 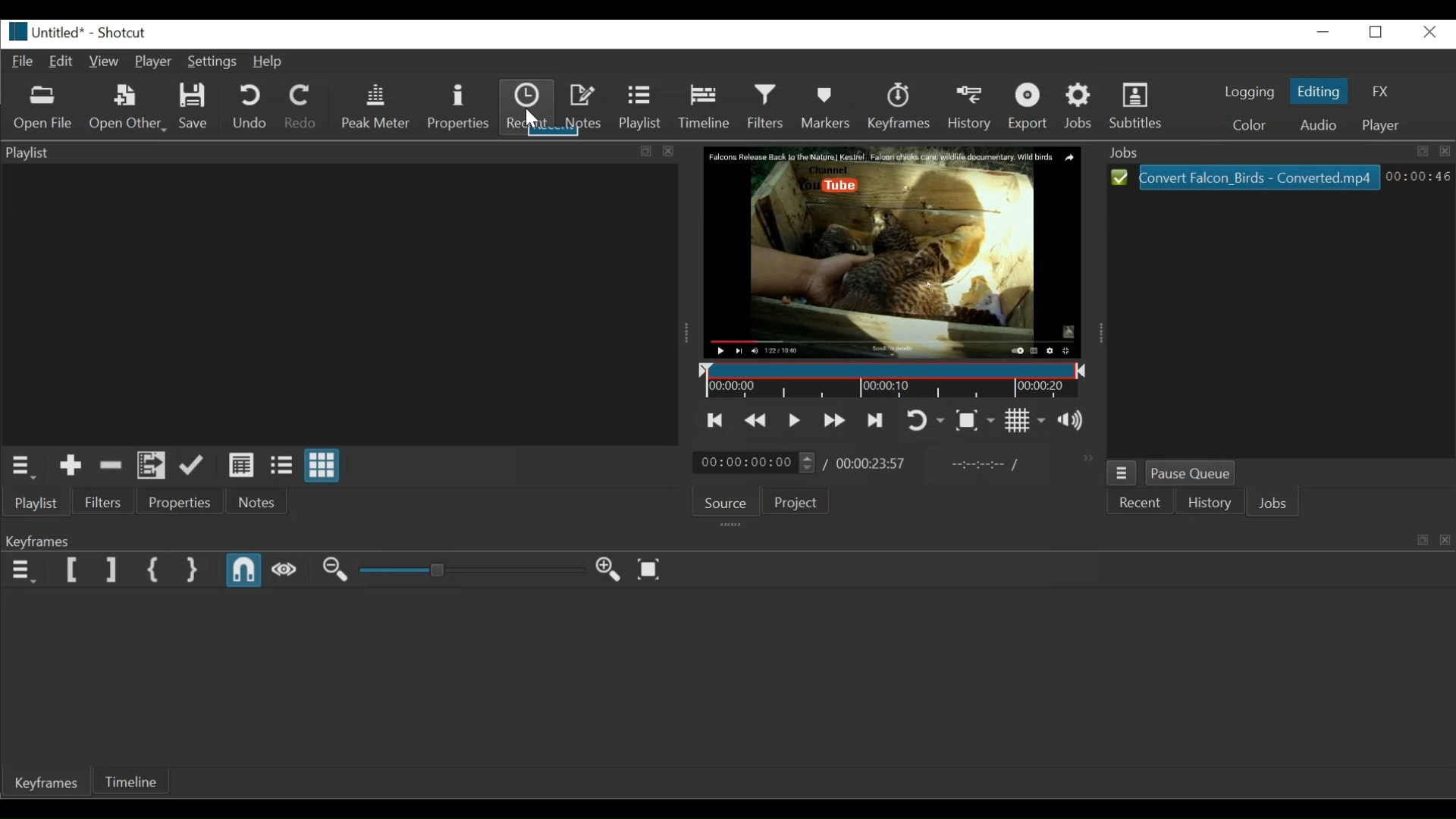 What do you see at coordinates (192, 570) in the screenshot?
I see `Set Second Simple Keyframe` at bounding box center [192, 570].